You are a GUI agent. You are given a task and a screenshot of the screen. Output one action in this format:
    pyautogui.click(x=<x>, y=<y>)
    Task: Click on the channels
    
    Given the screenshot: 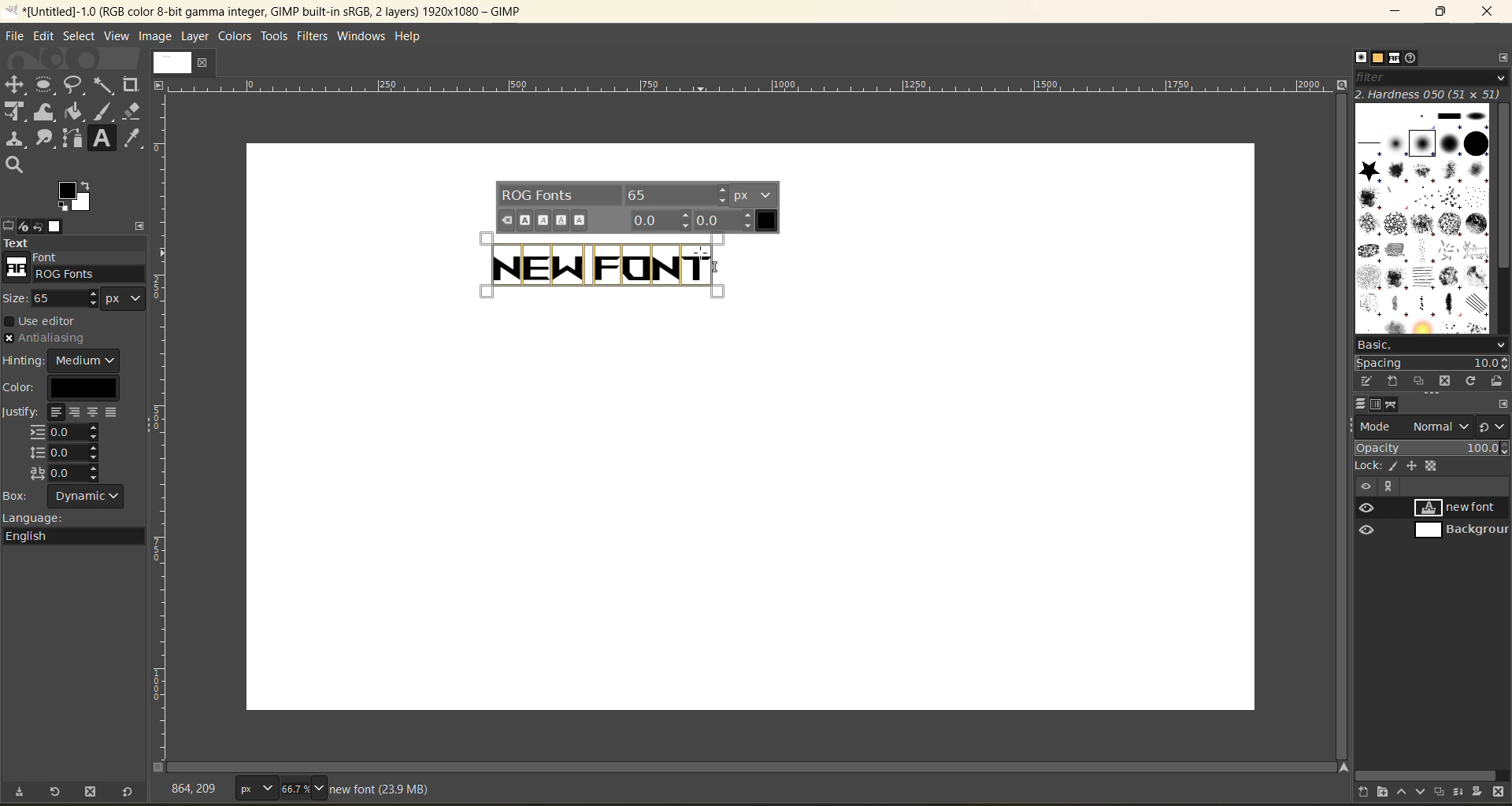 What is the action you would take?
    pyautogui.click(x=1378, y=406)
    